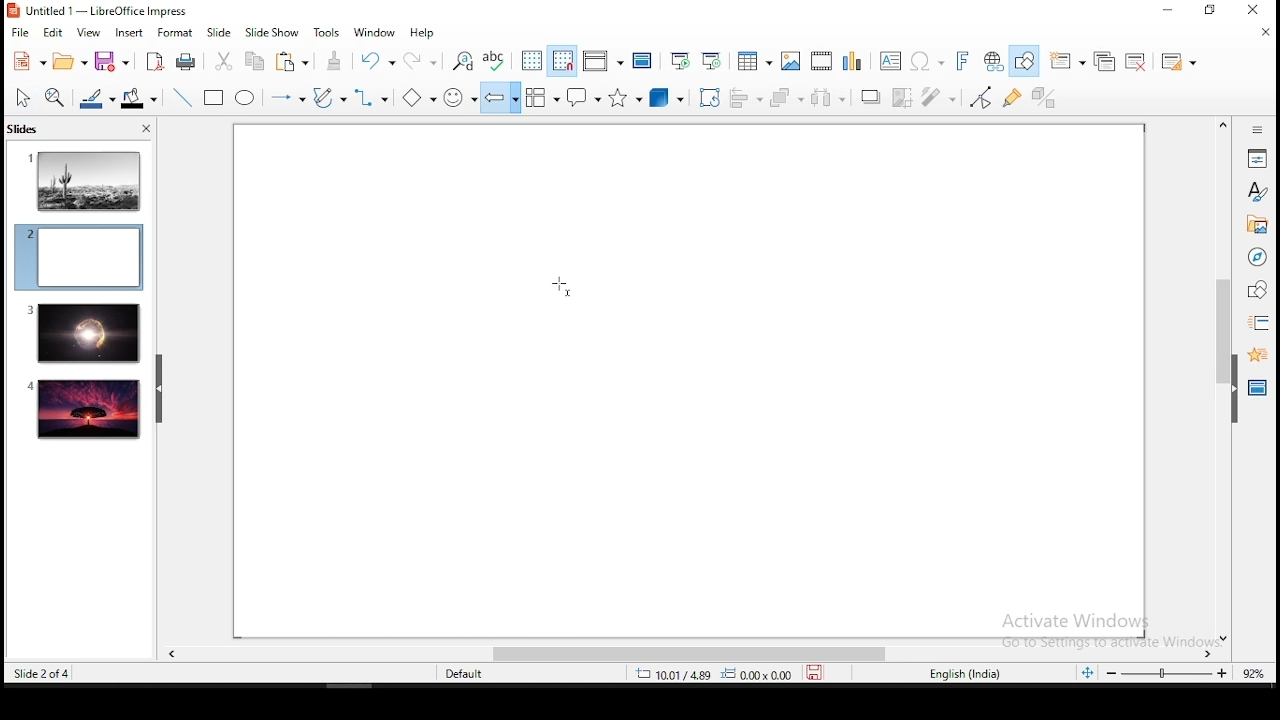  I want to click on insert audio and video, so click(821, 62).